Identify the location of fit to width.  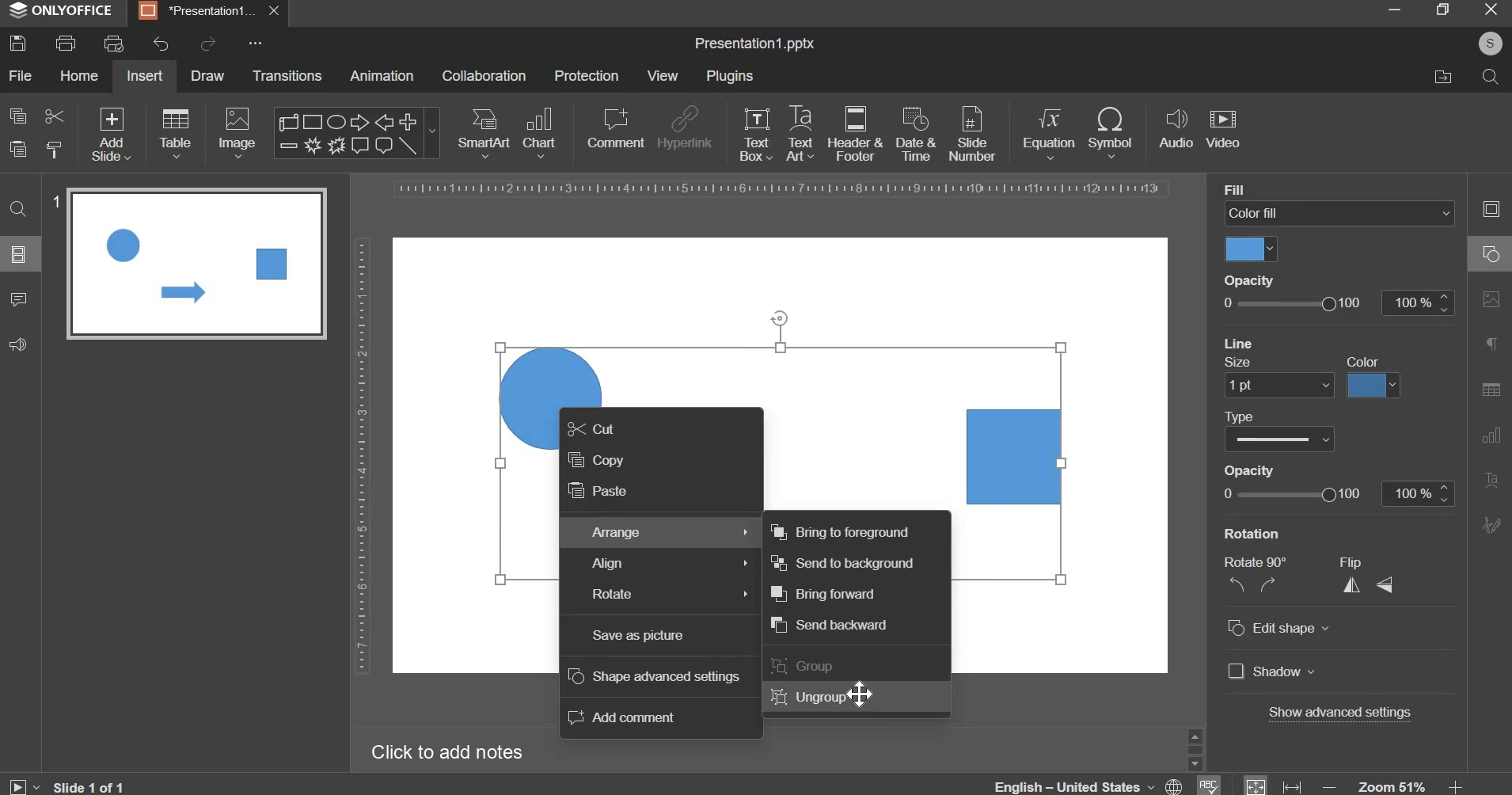
(1294, 786).